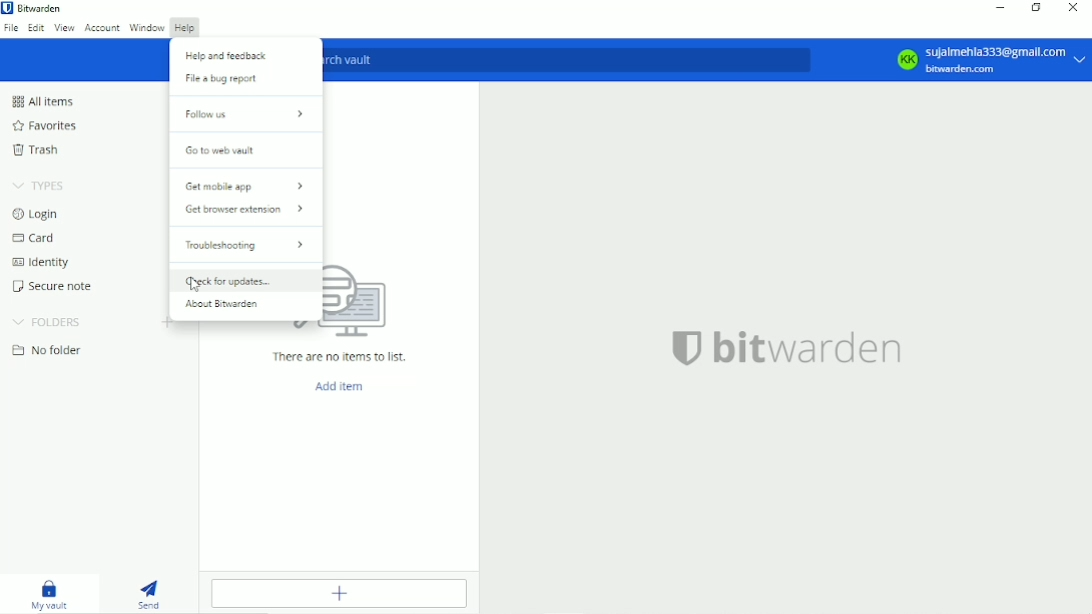 Image resolution: width=1092 pixels, height=614 pixels. Describe the element at coordinates (812, 349) in the screenshot. I see `bitwarden` at that location.